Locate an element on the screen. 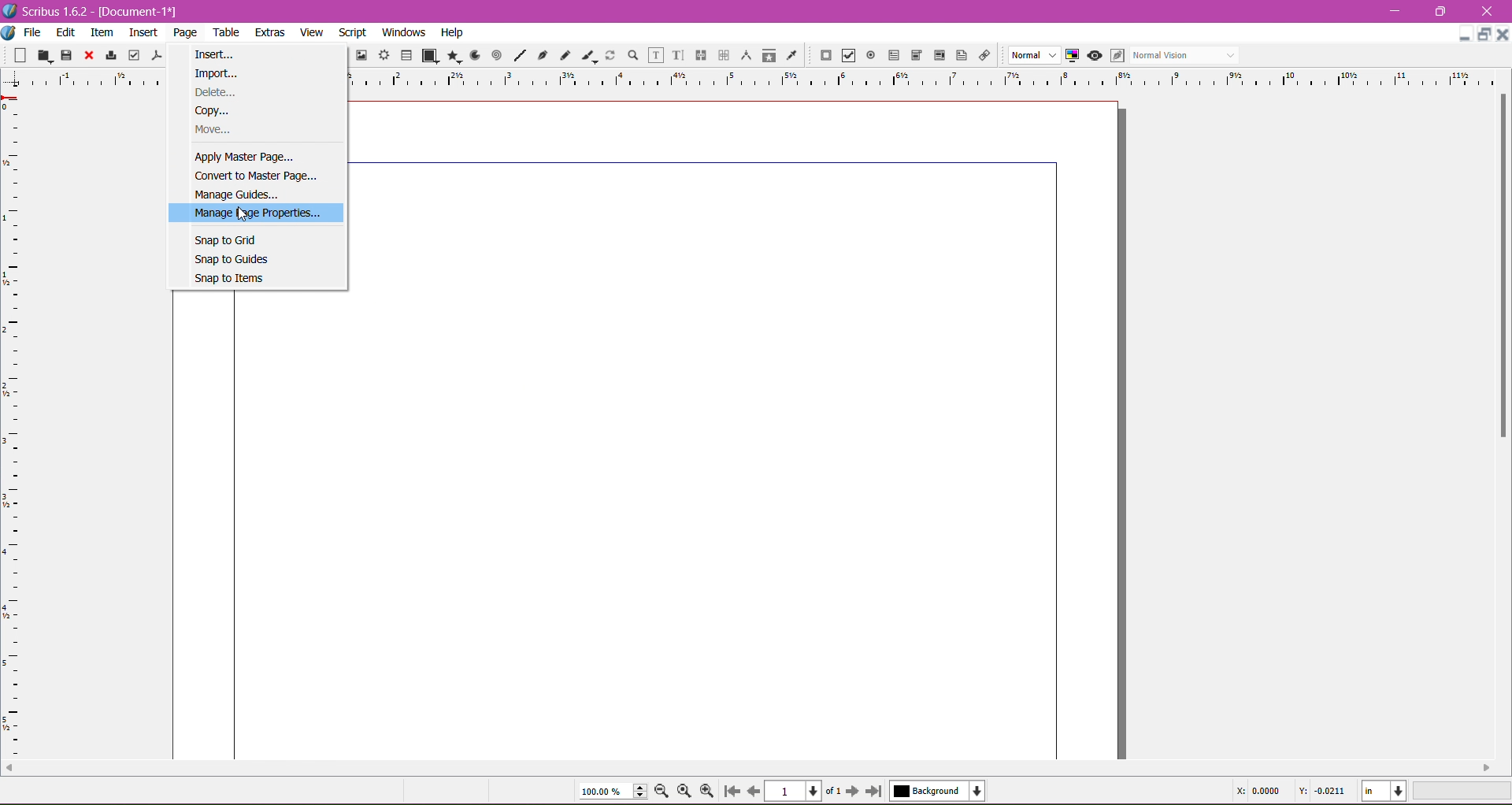  Minimize is located at coordinates (1395, 10).